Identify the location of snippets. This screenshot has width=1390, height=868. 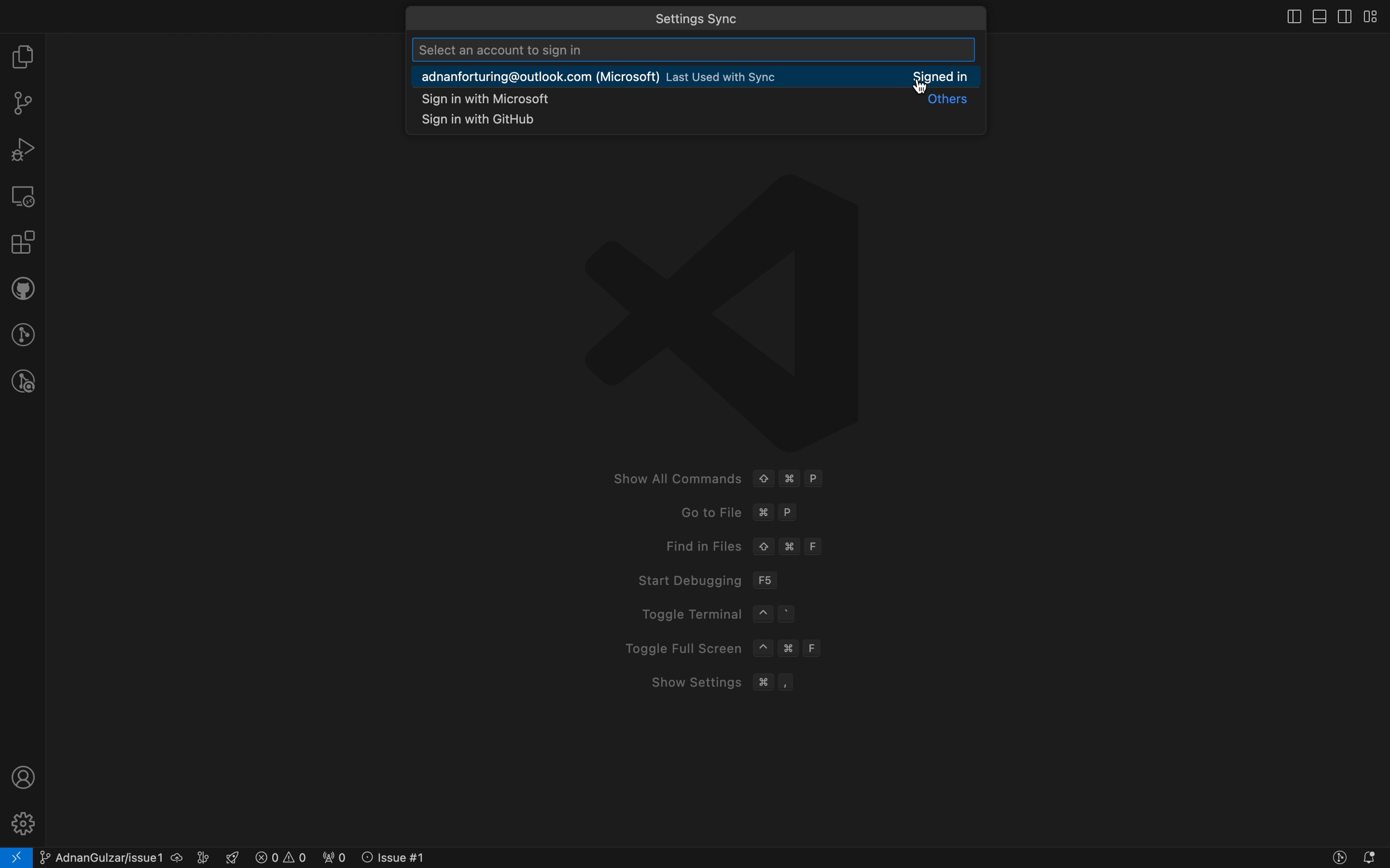
(489, 121).